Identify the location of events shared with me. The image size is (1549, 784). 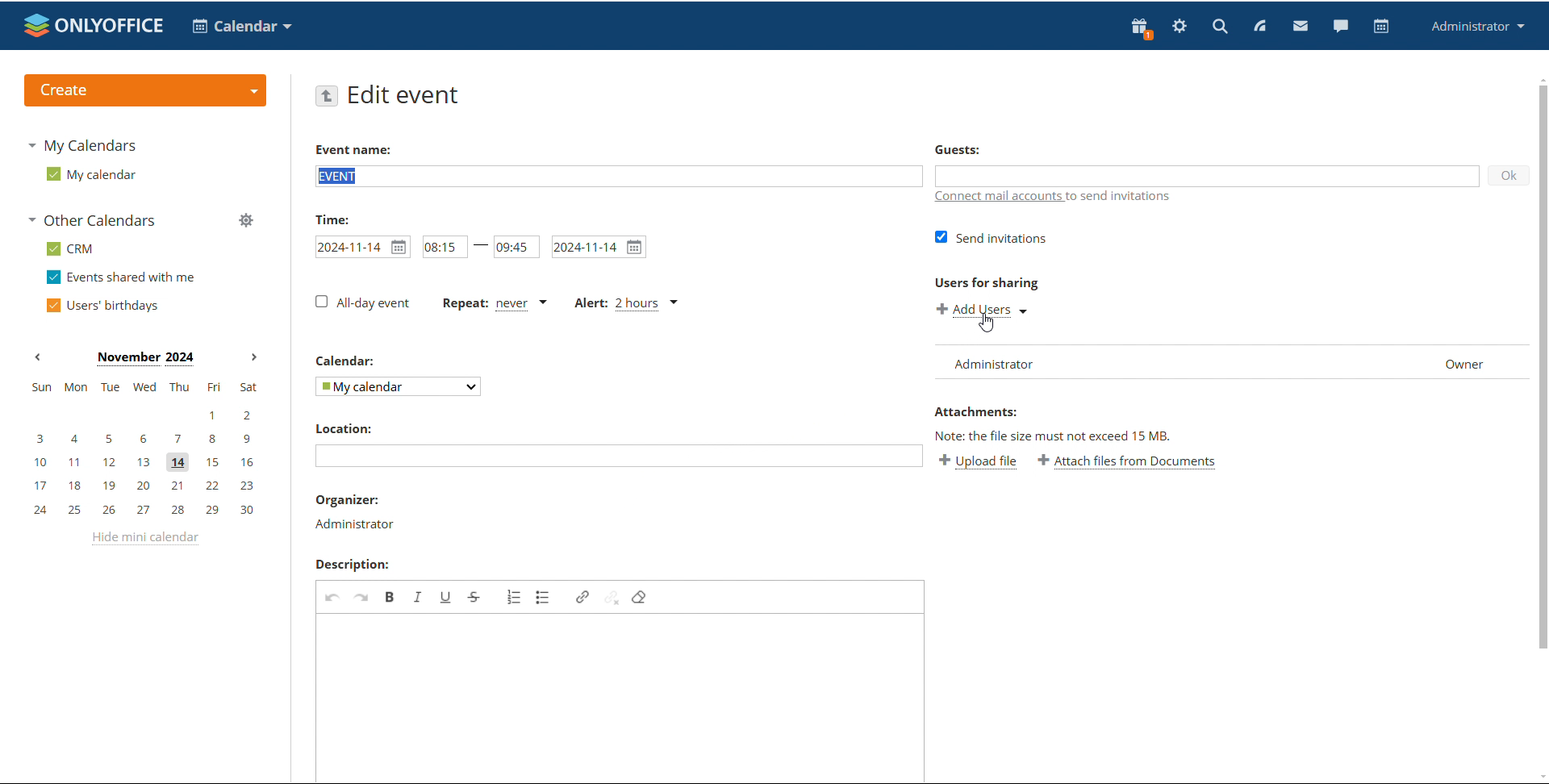
(121, 277).